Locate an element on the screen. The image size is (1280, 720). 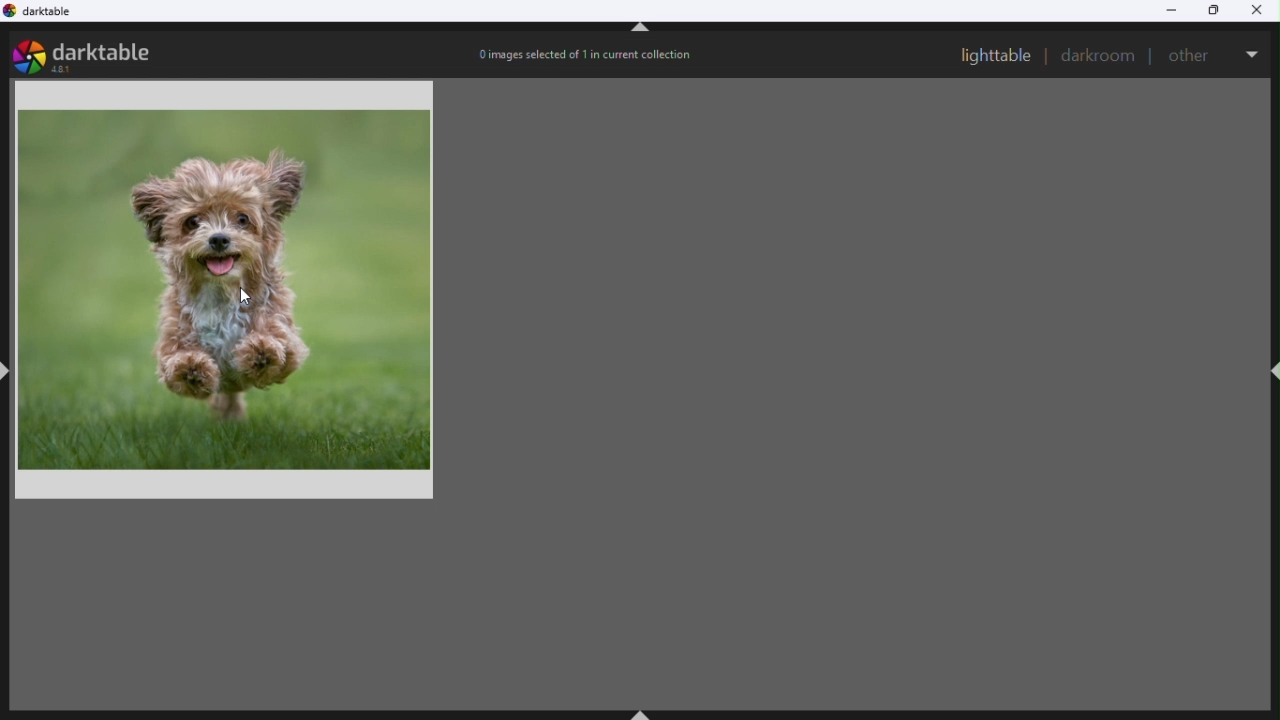
More options is located at coordinates (1253, 50).